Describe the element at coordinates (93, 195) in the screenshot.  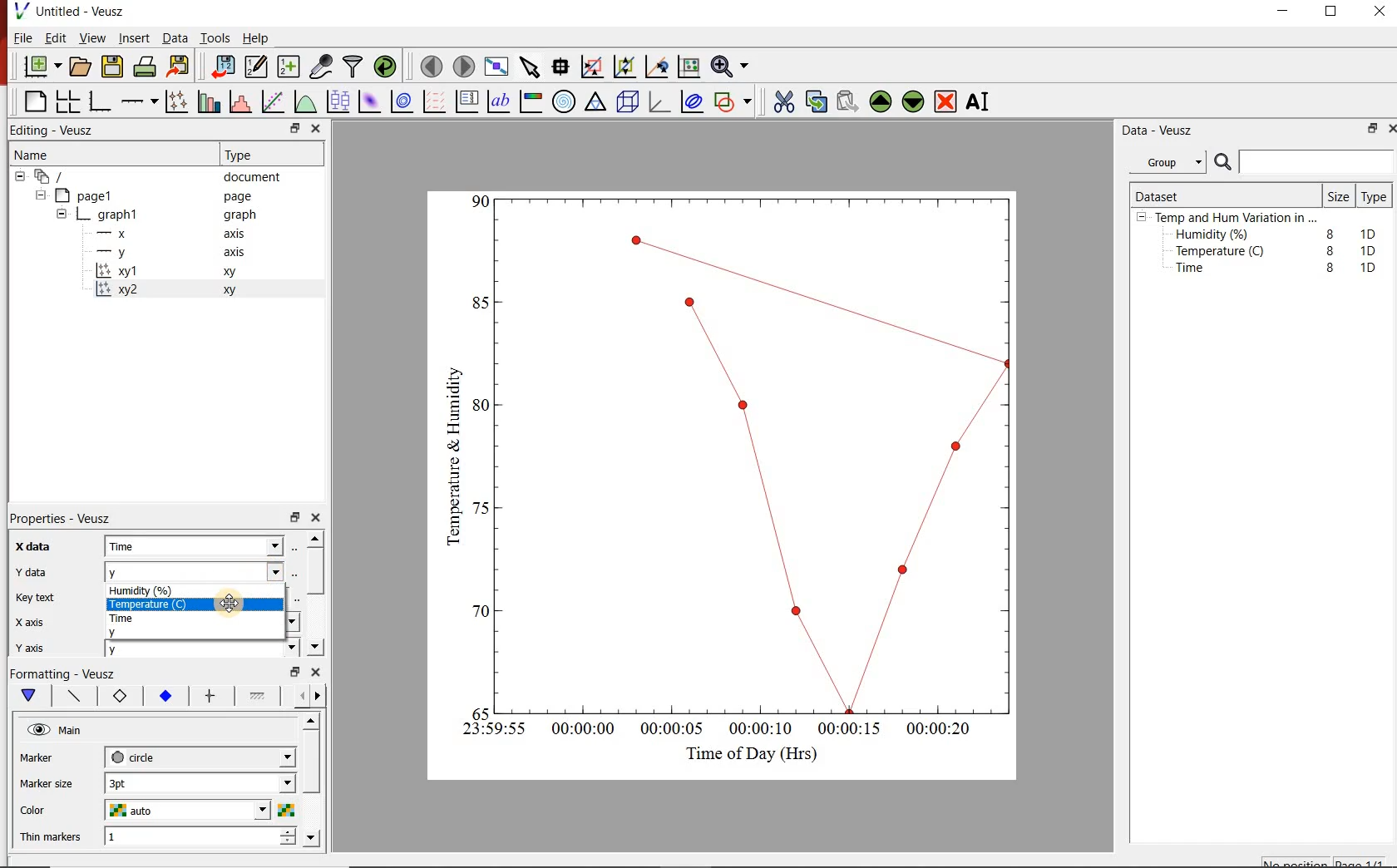
I see `page1` at that location.